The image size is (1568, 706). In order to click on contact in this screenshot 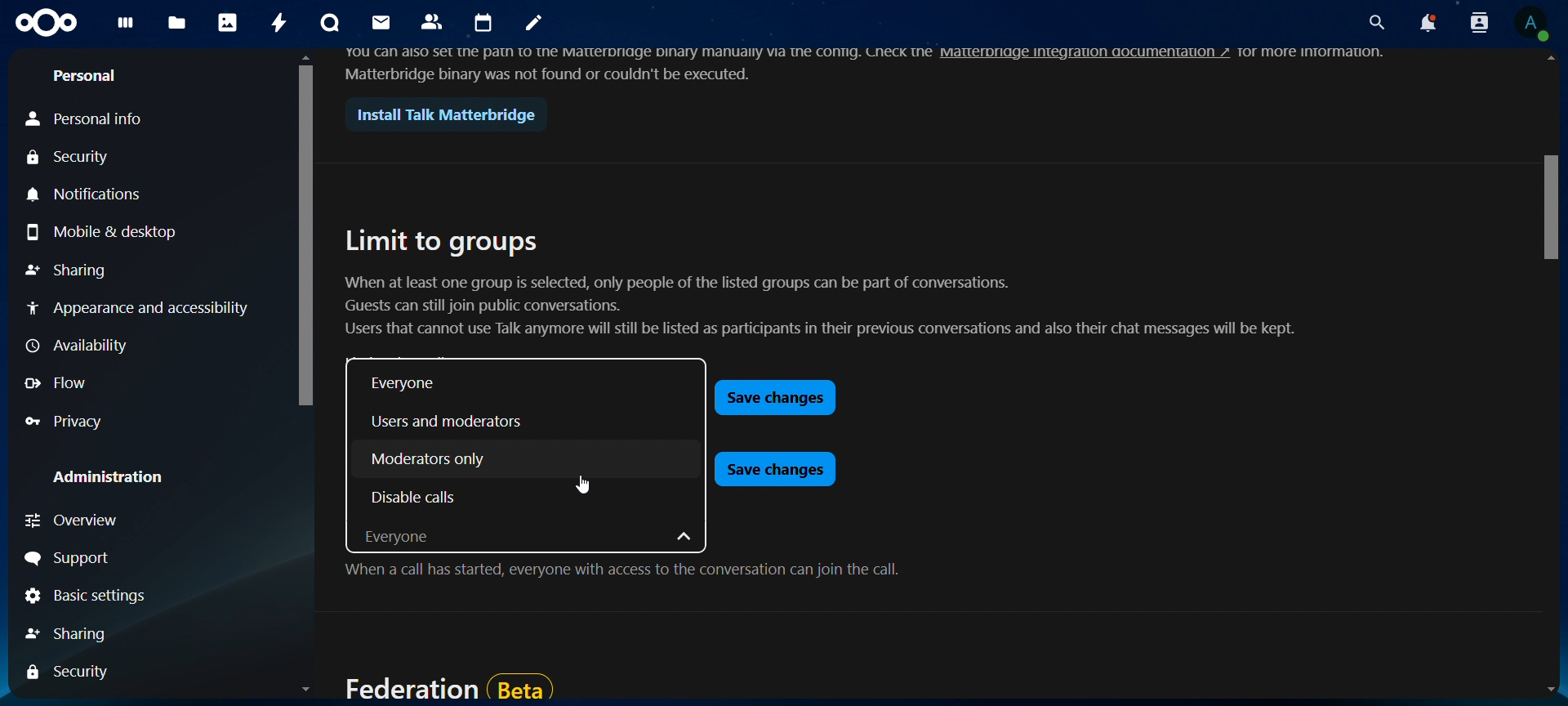, I will do `click(435, 23)`.